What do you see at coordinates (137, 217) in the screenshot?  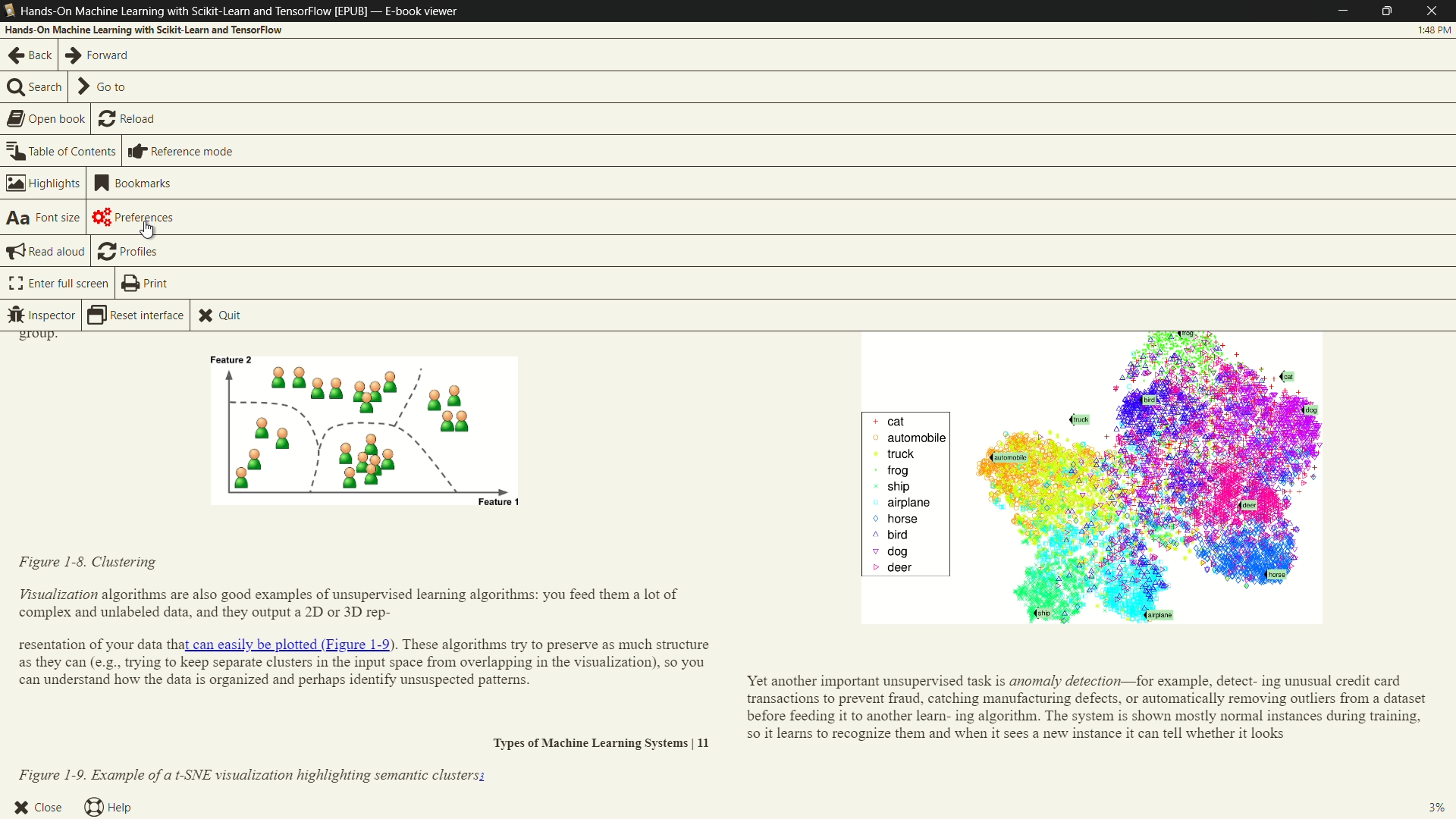 I see `preferences` at bounding box center [137, 217].